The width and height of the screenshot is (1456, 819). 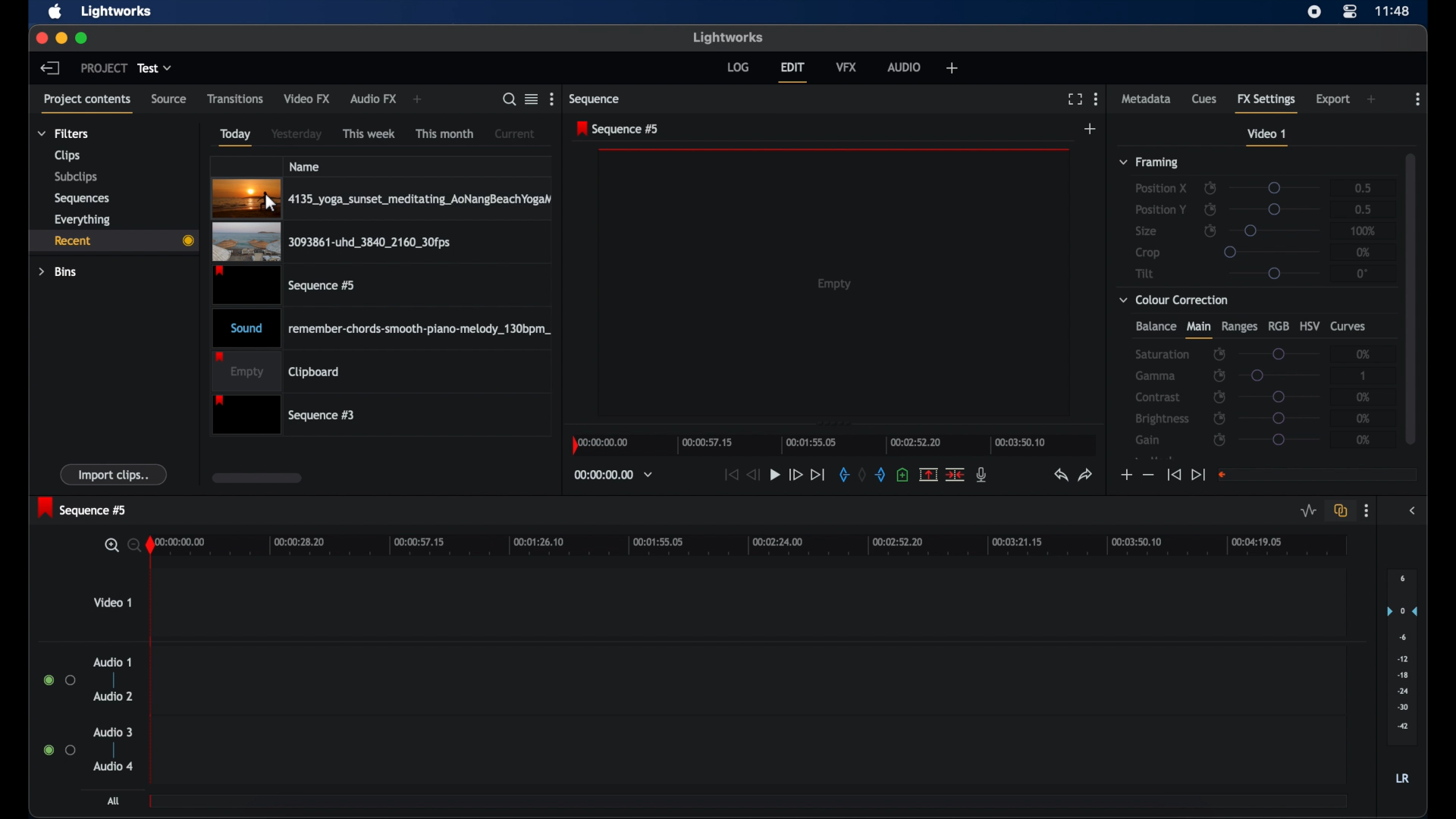 I want to click on video fx, so click(x=308, y=99).